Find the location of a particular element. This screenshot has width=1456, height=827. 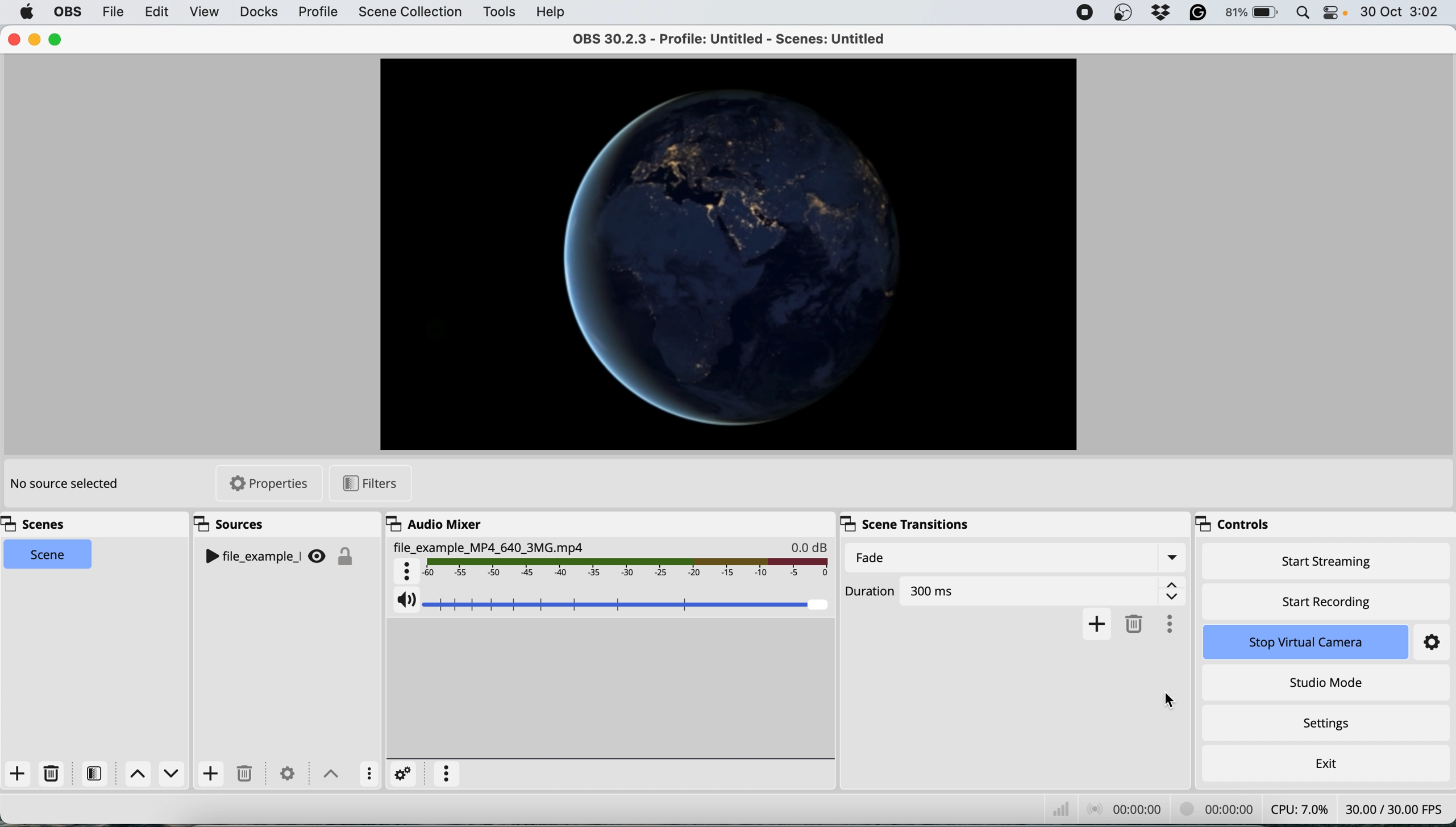

add source is located at coordinates (210, 772).